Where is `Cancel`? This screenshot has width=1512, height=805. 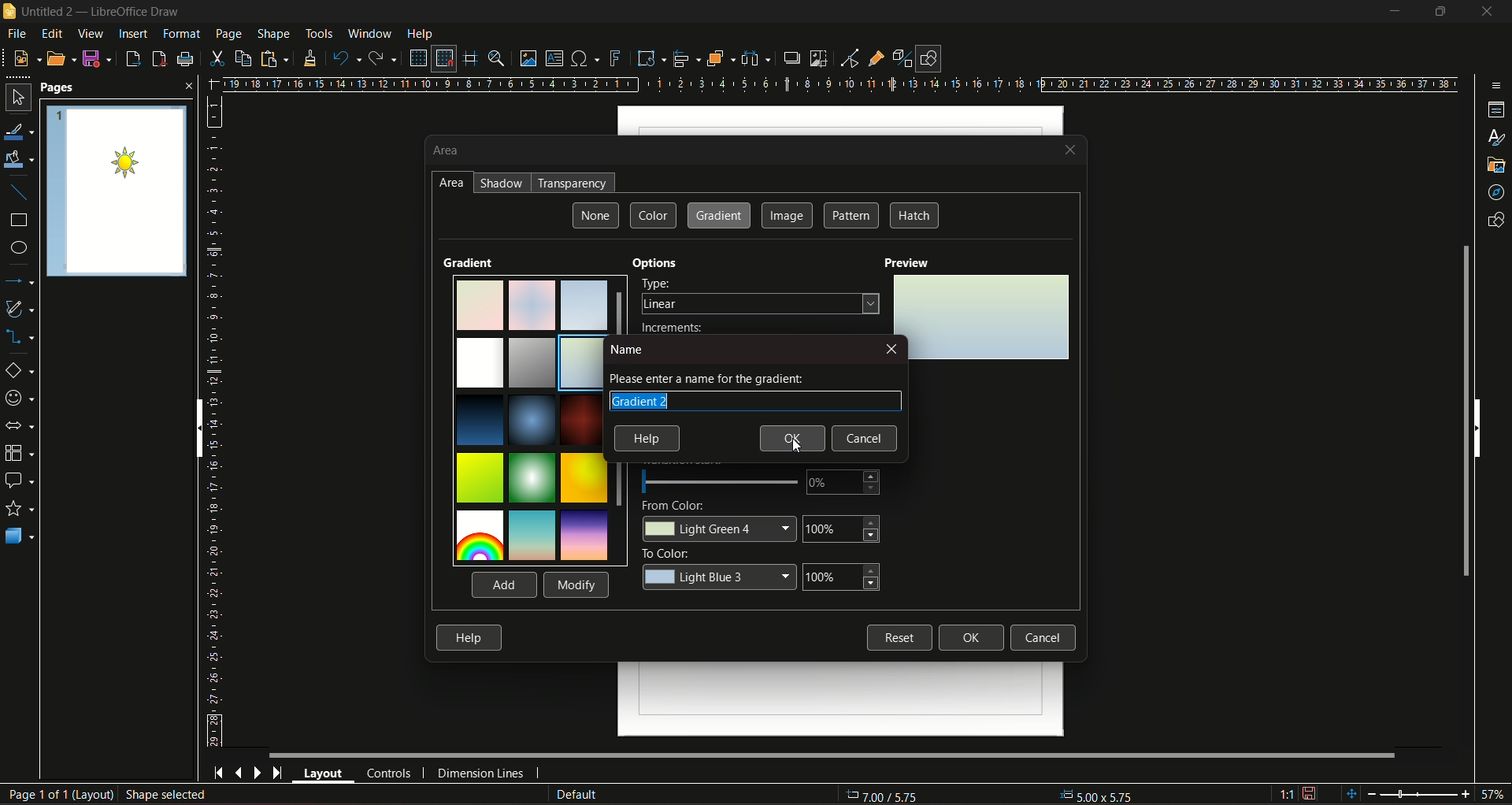
Cancel is located at coordinates (863, 439).